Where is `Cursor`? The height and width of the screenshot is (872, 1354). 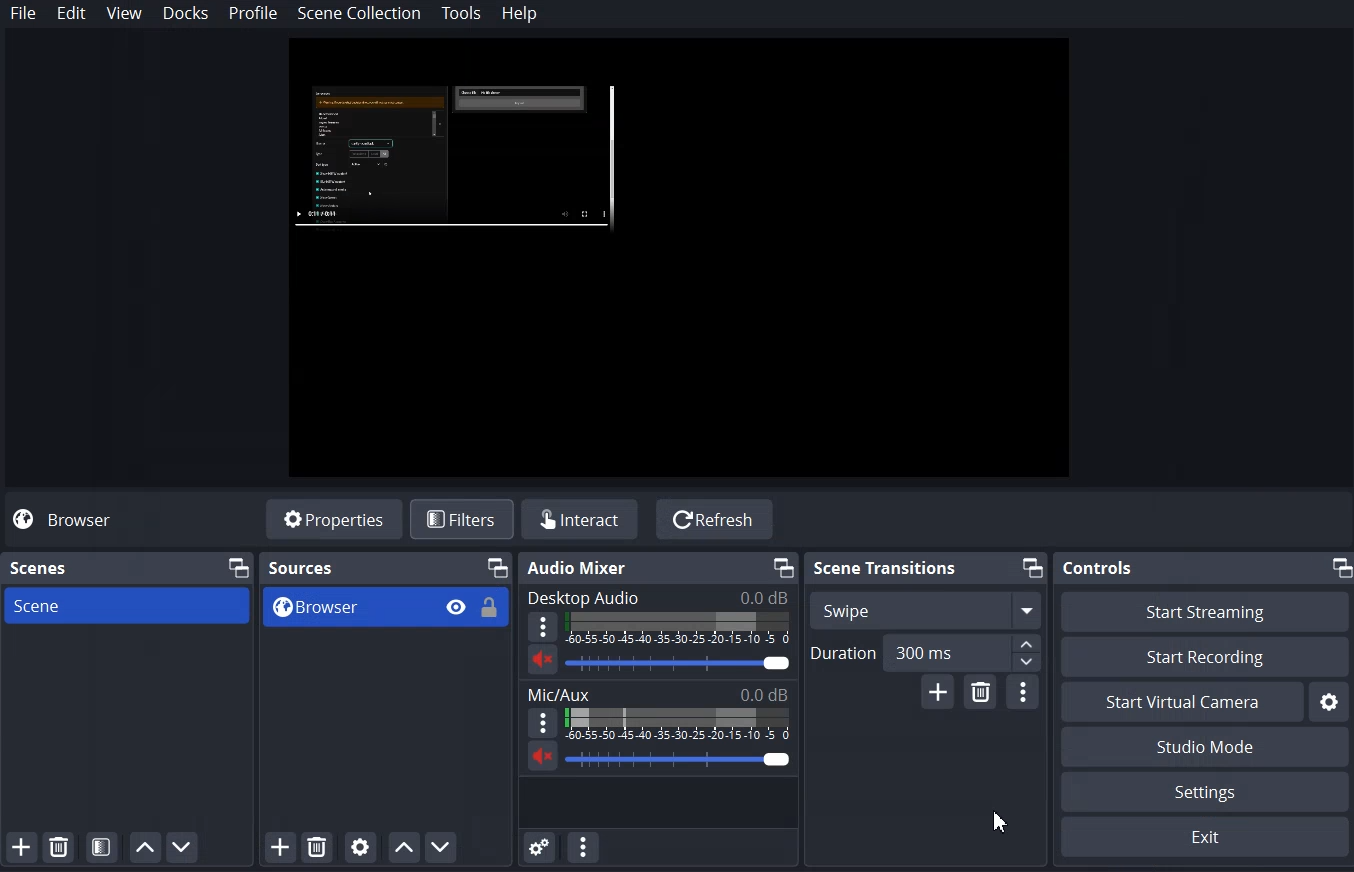 Cursor is located at coordinates (1003, 822).